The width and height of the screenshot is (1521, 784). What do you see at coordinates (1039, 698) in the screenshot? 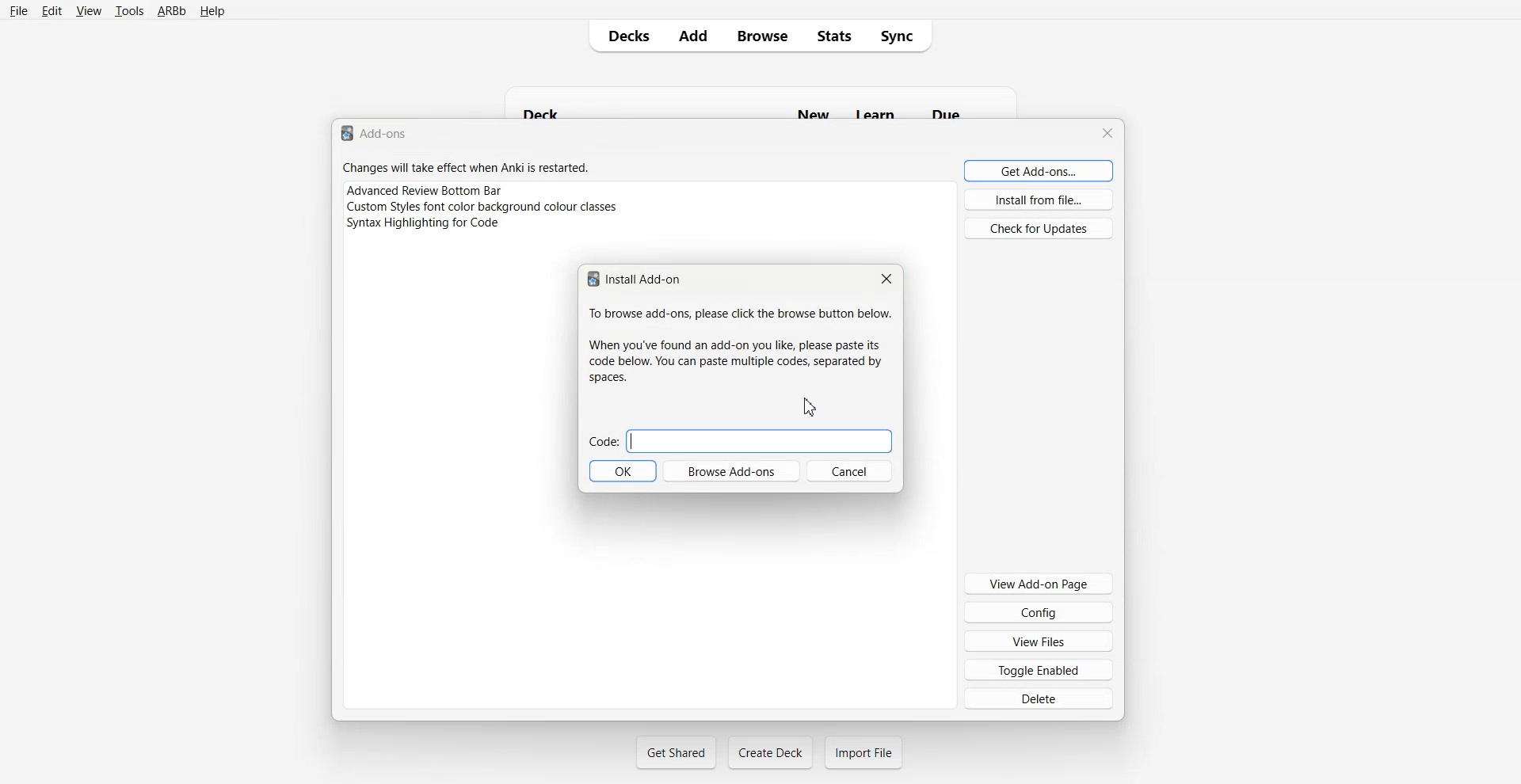
I see `Delete` at bounding box center [1039, 698].